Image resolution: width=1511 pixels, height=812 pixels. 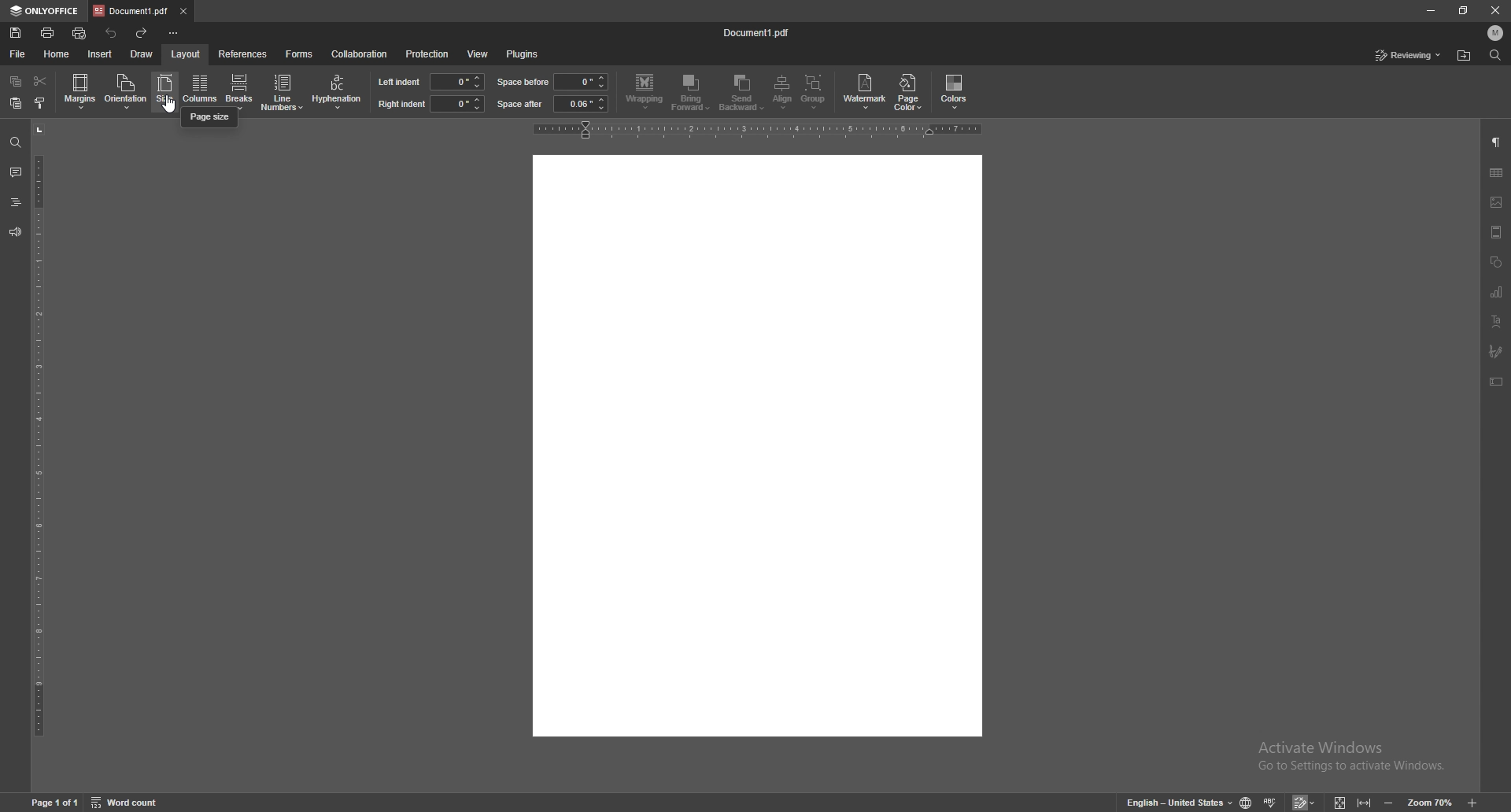 I want to click on input left indent, so click(x=457, y=81).